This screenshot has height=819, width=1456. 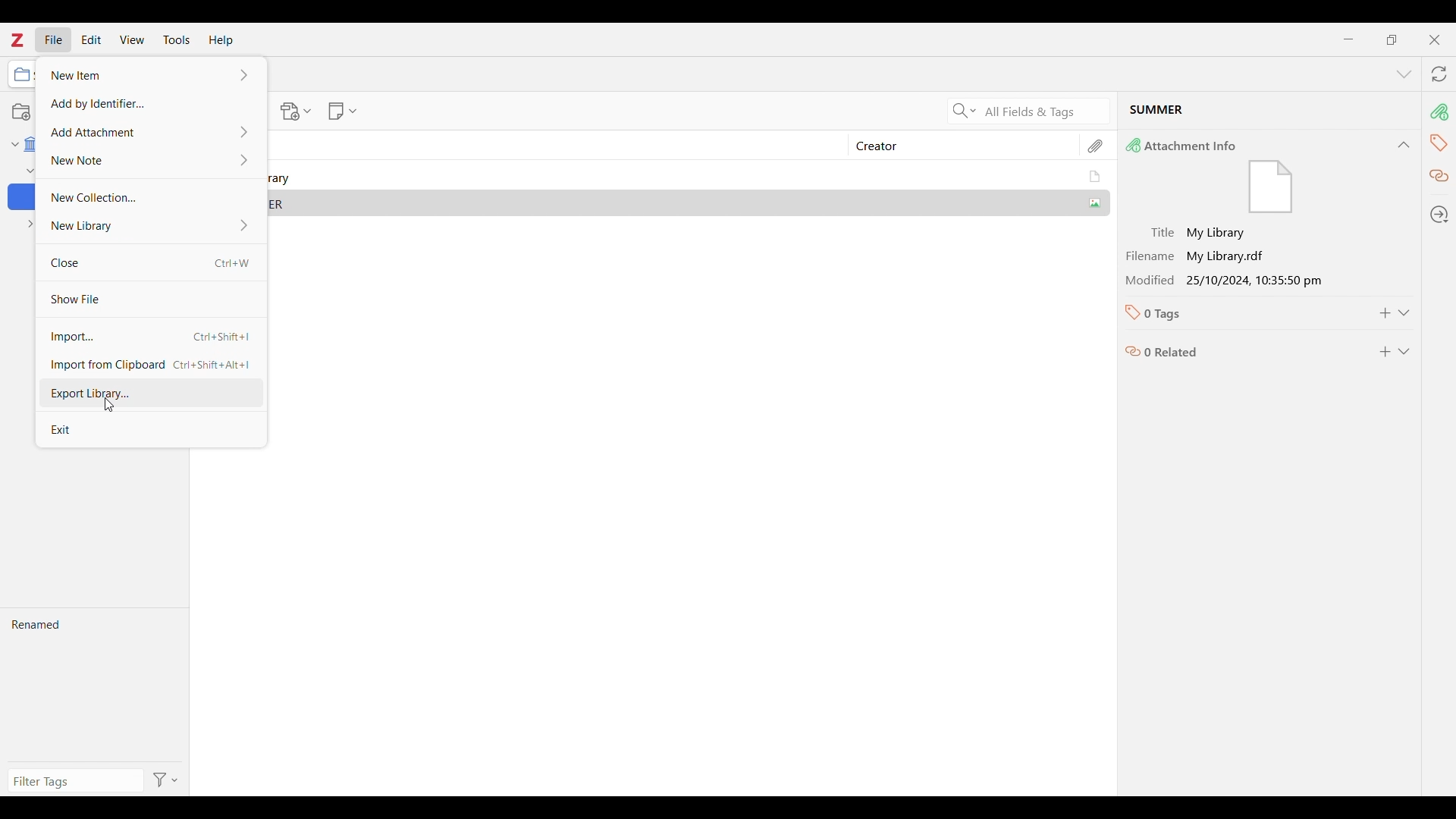 I want to click on Renamed, so click(x=94, y=685).